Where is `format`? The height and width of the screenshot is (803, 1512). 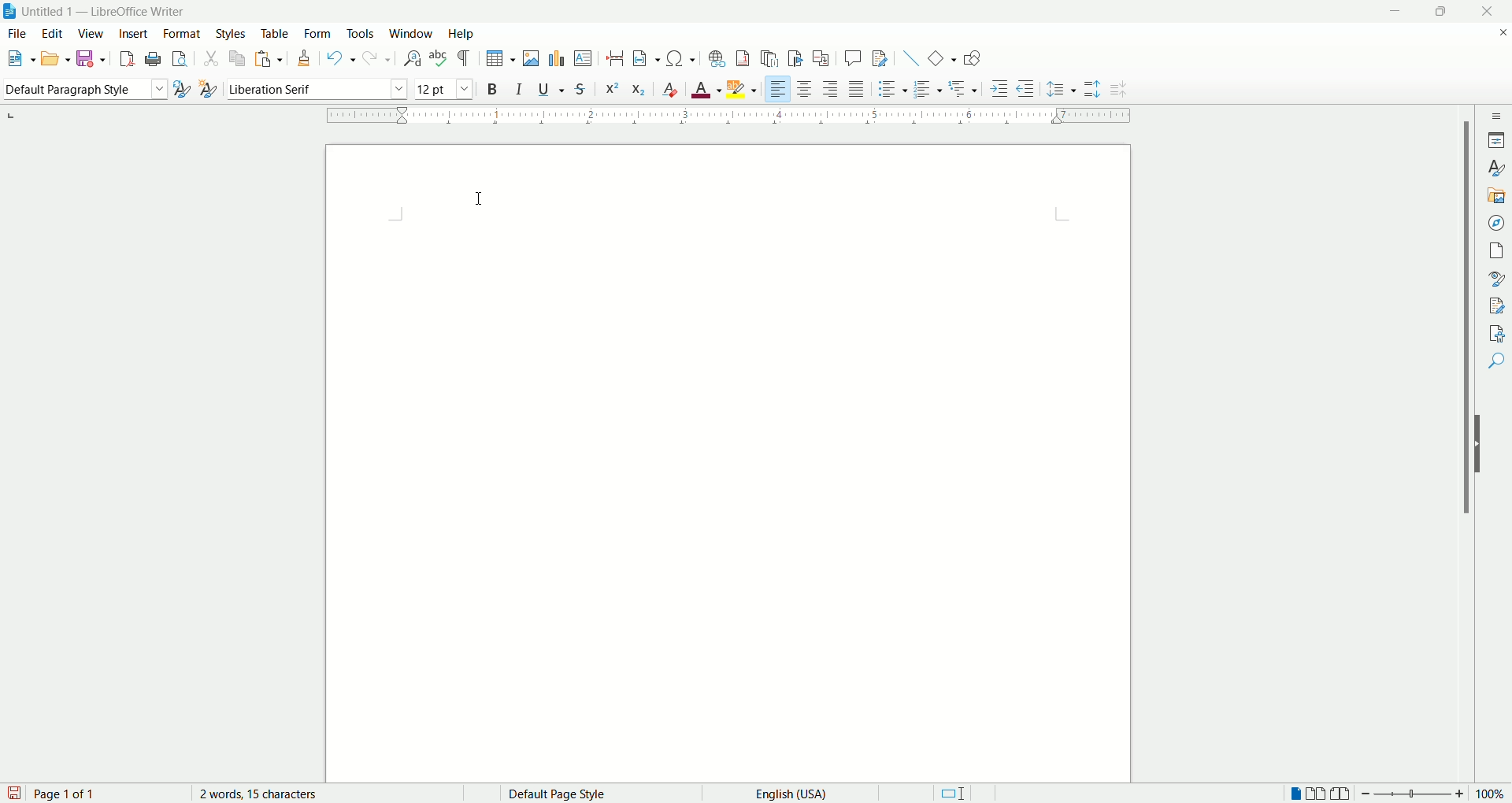
format is located at coordinates (180, 34).